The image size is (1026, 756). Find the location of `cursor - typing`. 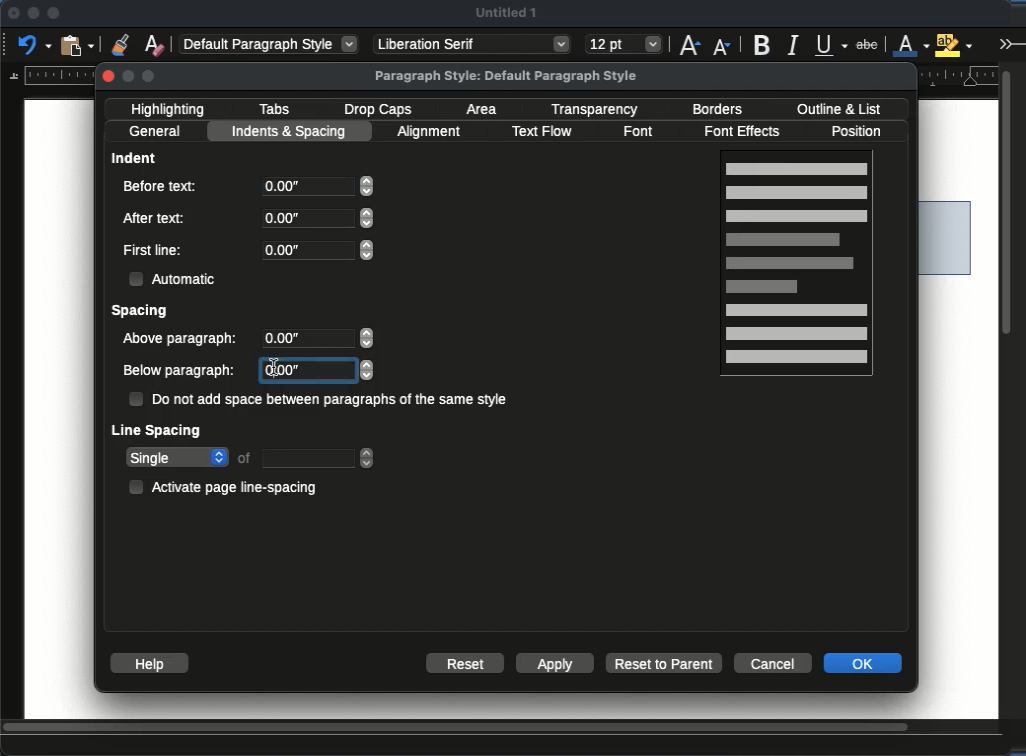

cursor - typing is located at coordinates (272, 367).